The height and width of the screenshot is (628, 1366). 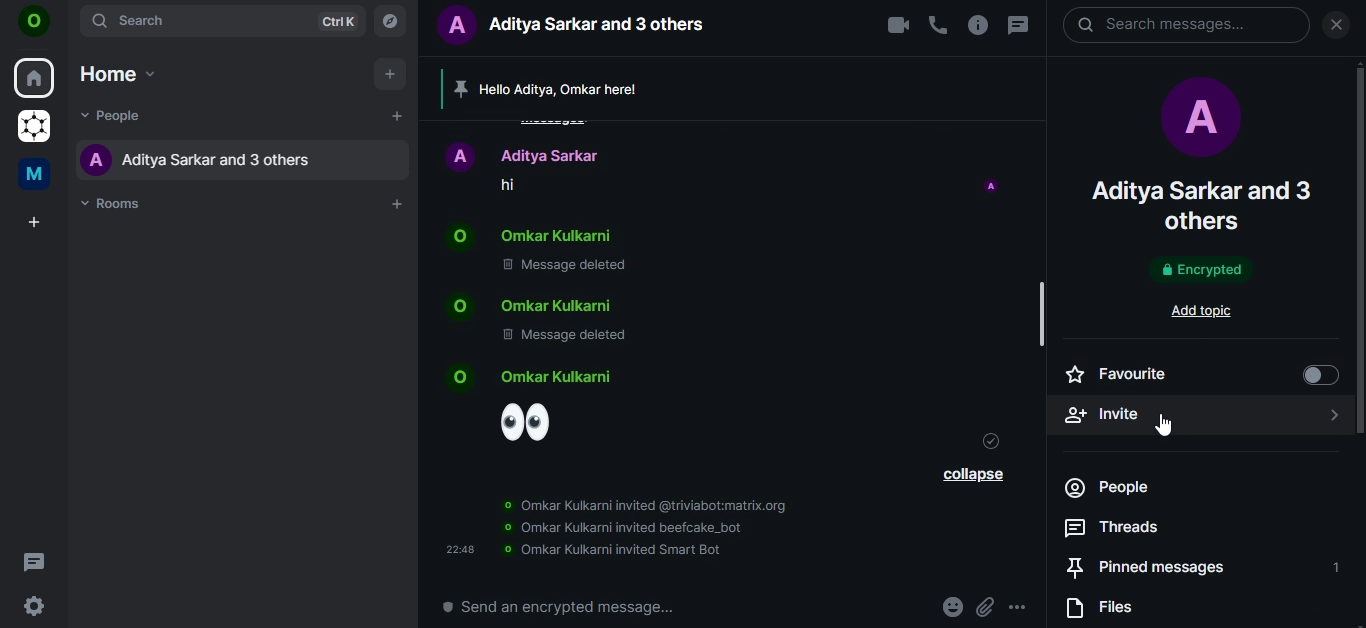 What do you see at coordinates (1208, 310) in the screenshot?
I see `add topic` at bounding box center [1208, 310].